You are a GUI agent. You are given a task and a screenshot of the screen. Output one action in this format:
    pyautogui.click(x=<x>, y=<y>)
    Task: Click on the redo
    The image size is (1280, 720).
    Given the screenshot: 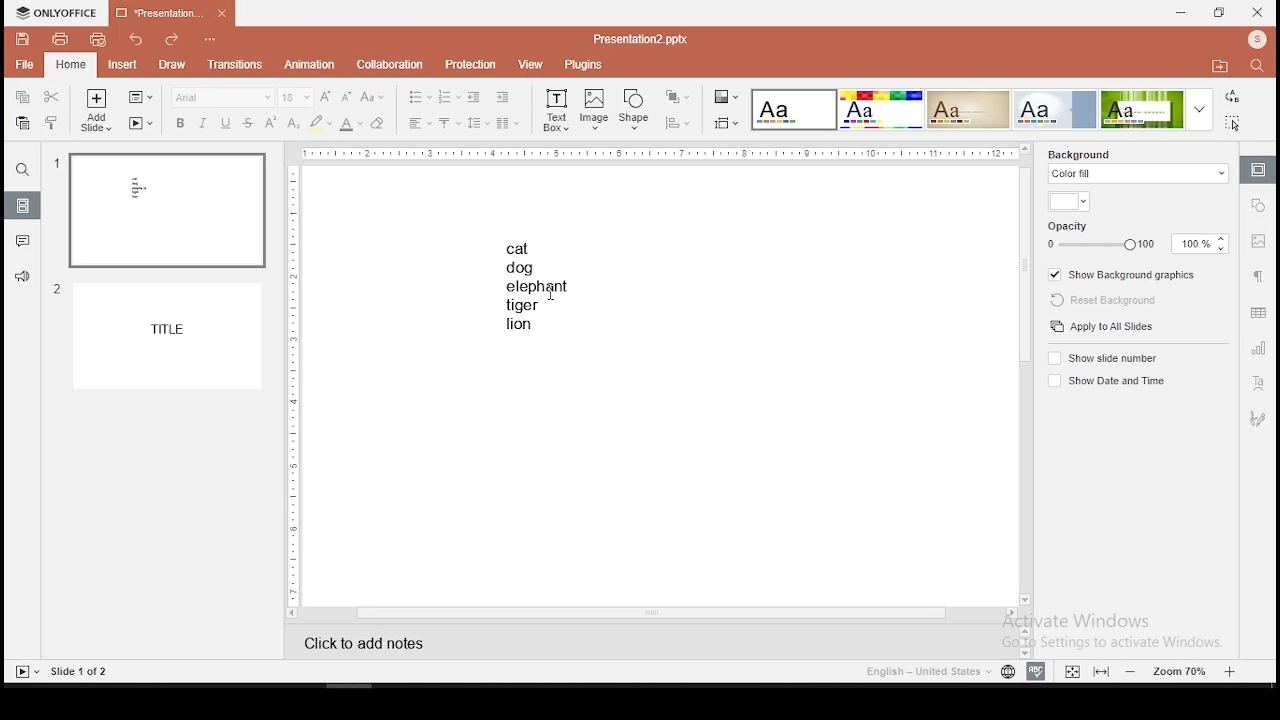 What is the action you would take?
    pyautogui.click(x=173, y=38)
    